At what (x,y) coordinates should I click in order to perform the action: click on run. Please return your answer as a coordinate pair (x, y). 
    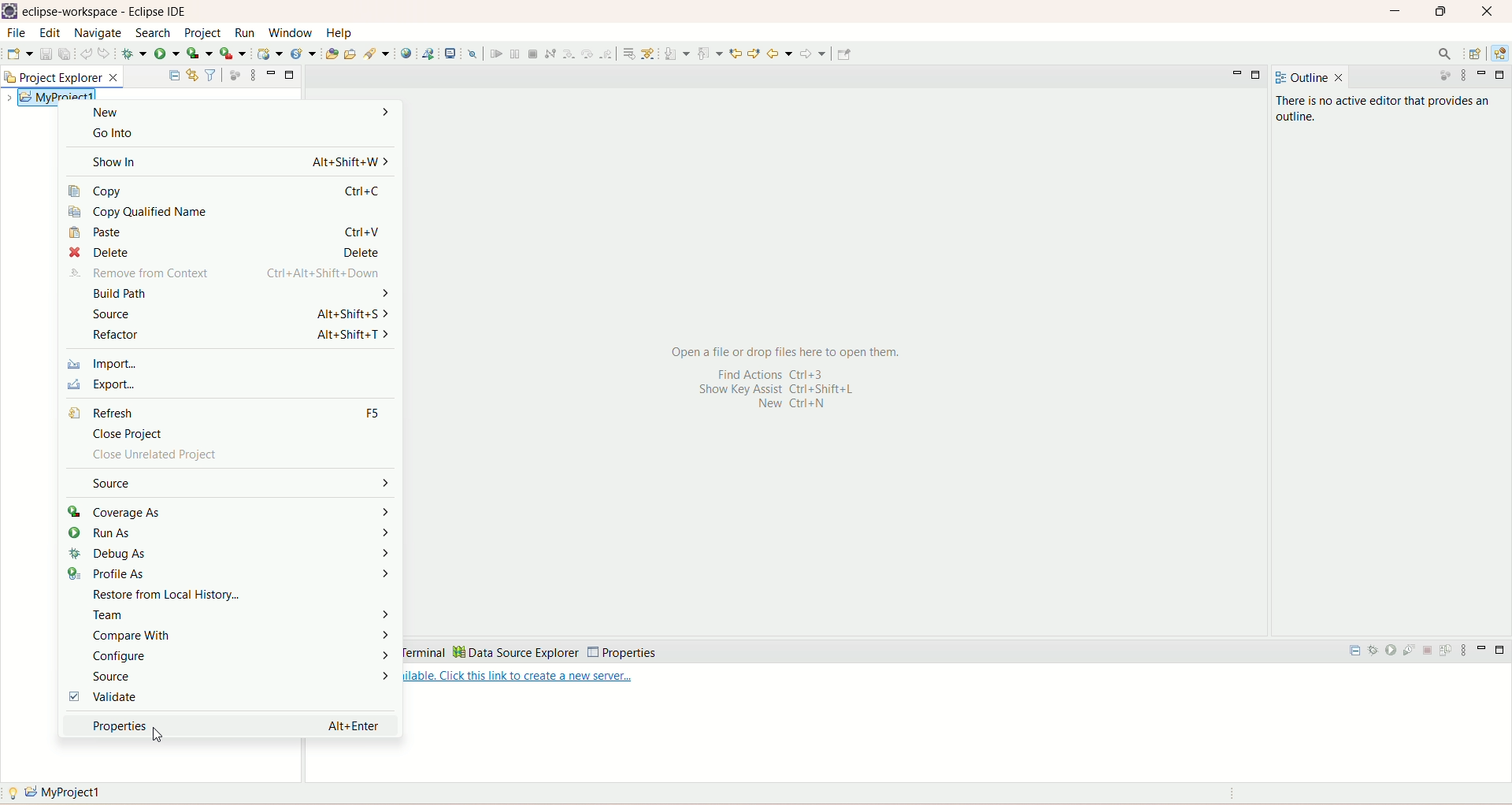
    Looking at the image, I should click on (169, 54).